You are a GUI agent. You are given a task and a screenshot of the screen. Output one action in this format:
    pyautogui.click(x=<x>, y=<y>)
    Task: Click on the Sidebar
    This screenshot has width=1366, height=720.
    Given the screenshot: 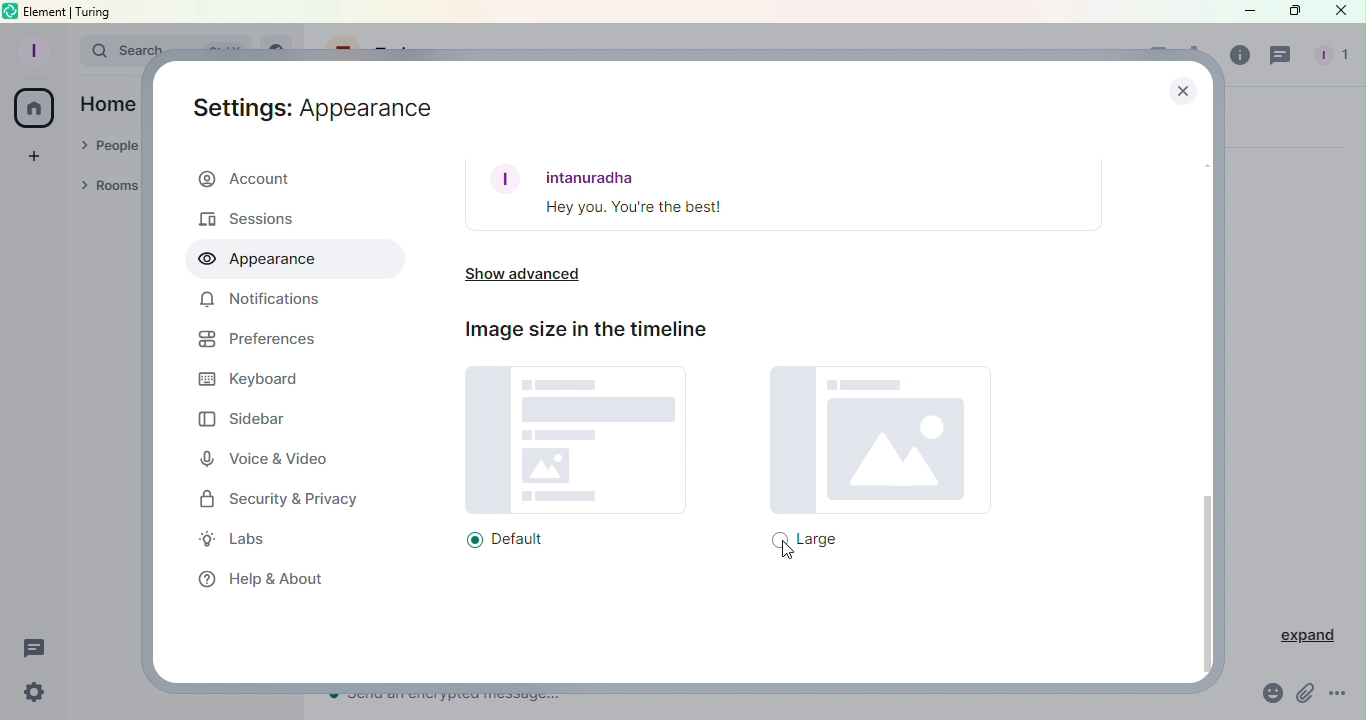 What is the action you would take?
    pyautogui.click(x=242, y=418)
    